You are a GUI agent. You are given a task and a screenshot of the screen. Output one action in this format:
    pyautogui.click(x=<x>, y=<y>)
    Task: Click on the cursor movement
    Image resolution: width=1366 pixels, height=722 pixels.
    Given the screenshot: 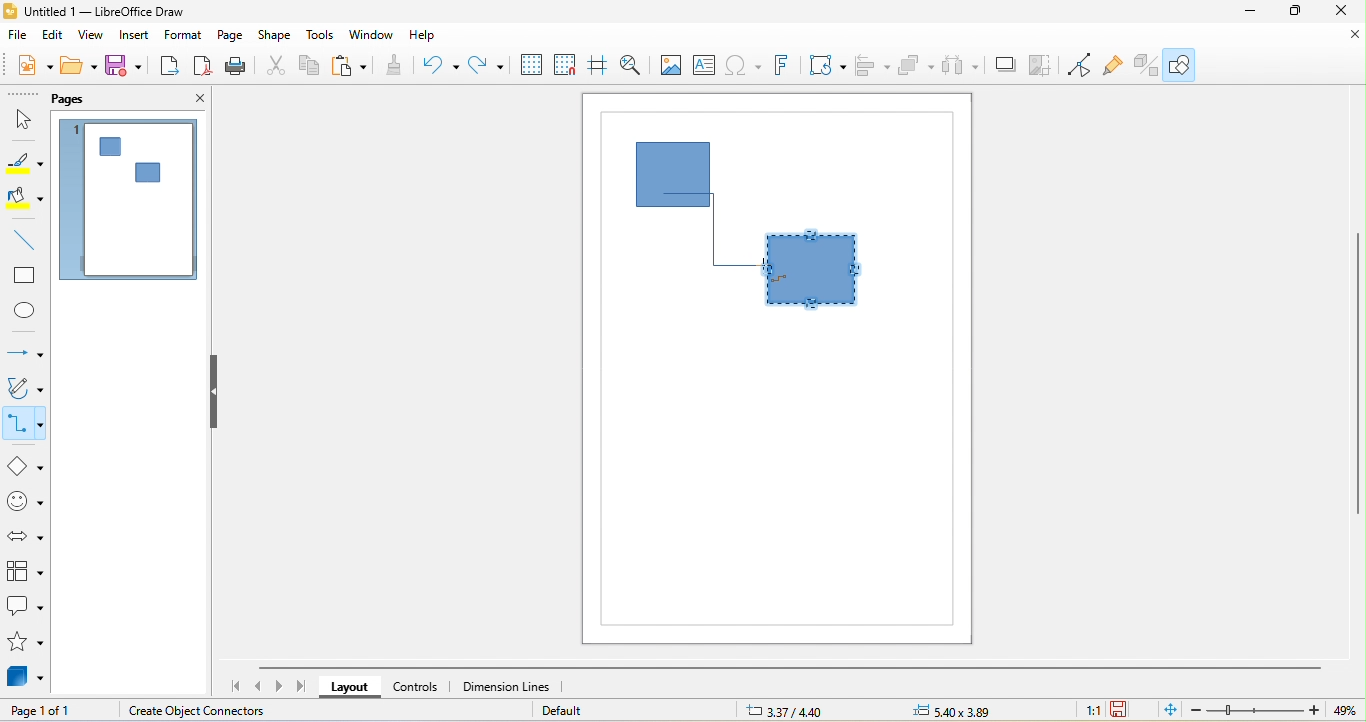 What is the action you would take?
    pyautogui.click(x=776, y=268)
    